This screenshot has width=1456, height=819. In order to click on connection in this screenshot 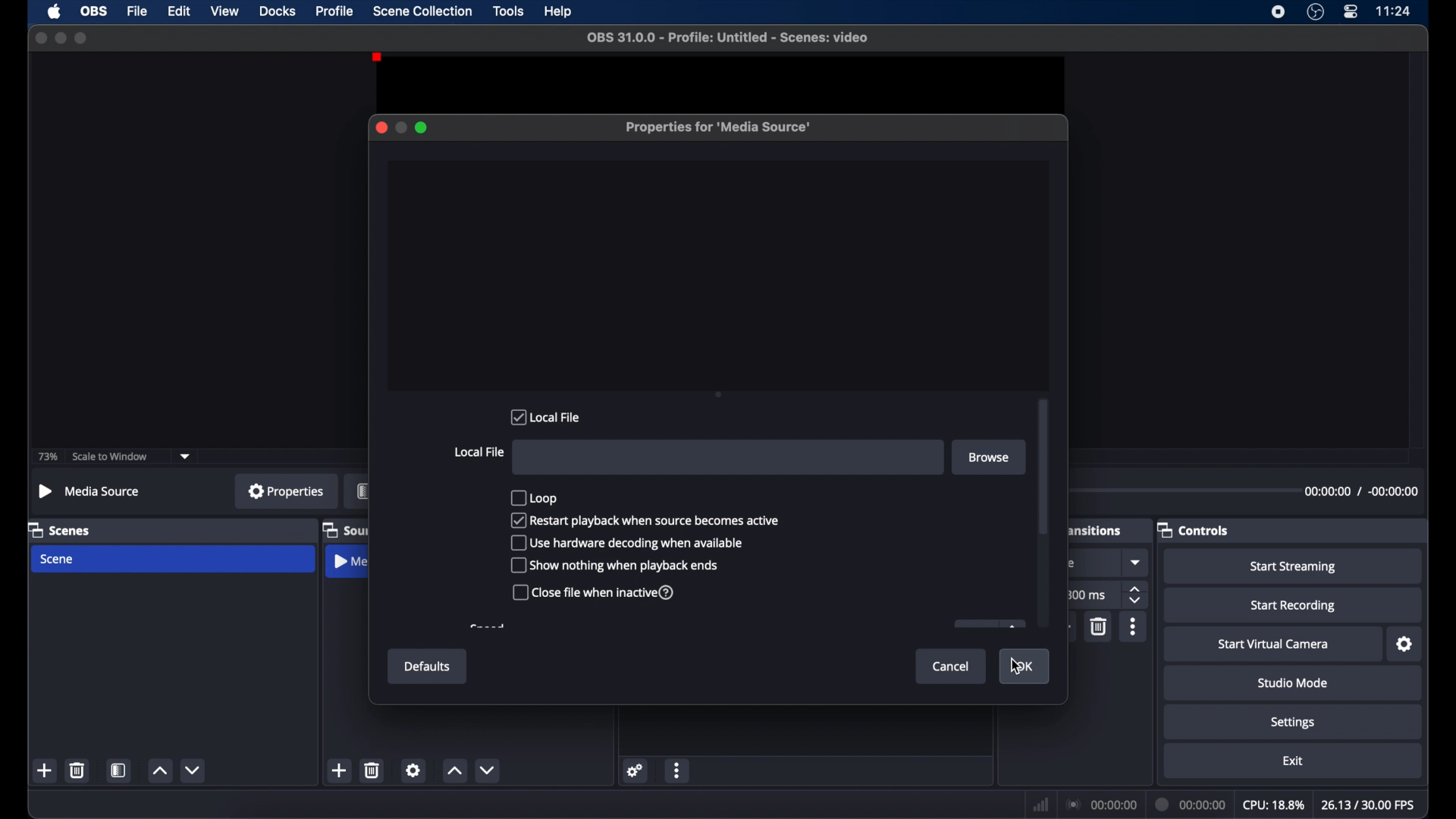, I will do `click(1100, 805)`.